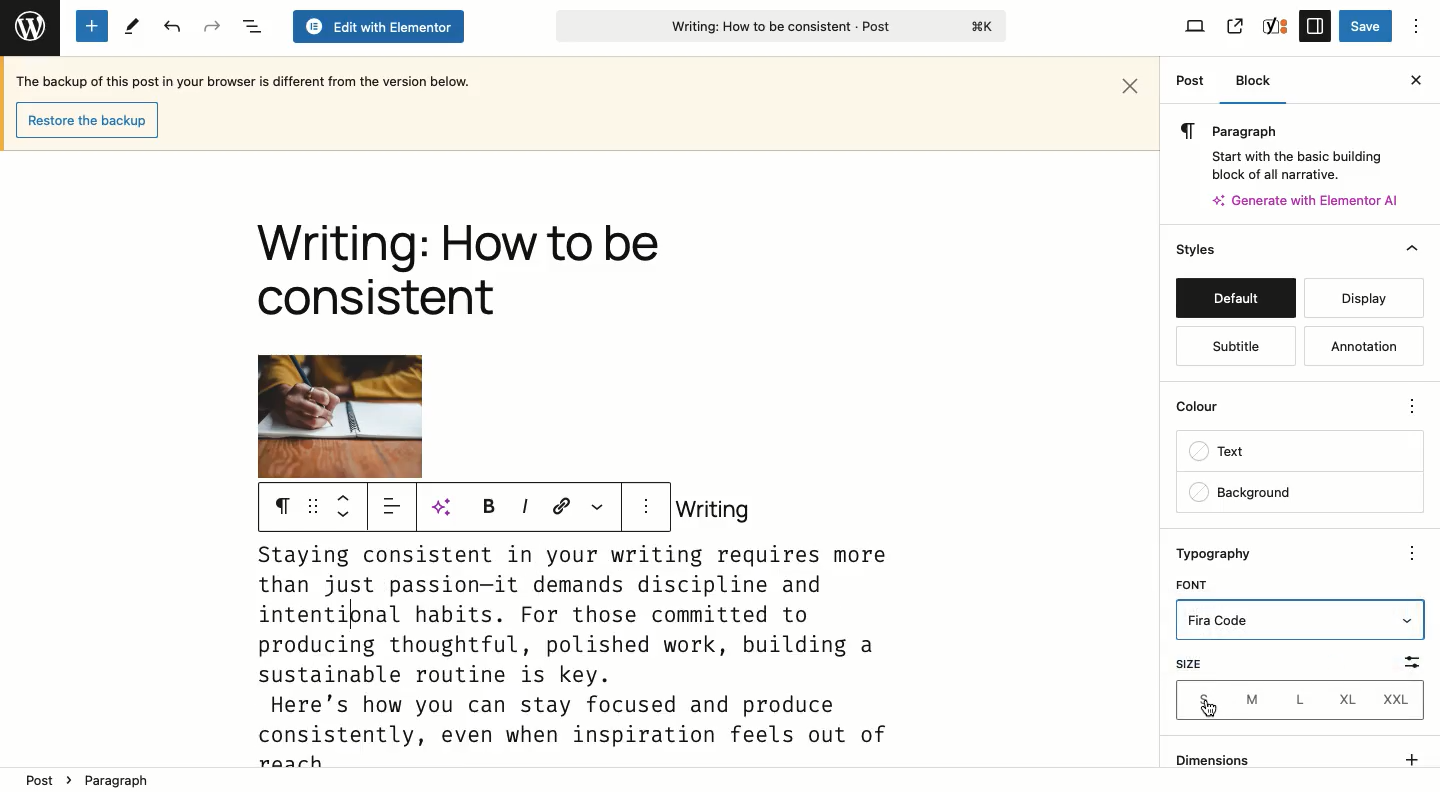 This screenshot has width=1440, height=792. Describe the element at coordinates (779, 29) in the screenshot. I see `Writing: How to be consistent` at that location.